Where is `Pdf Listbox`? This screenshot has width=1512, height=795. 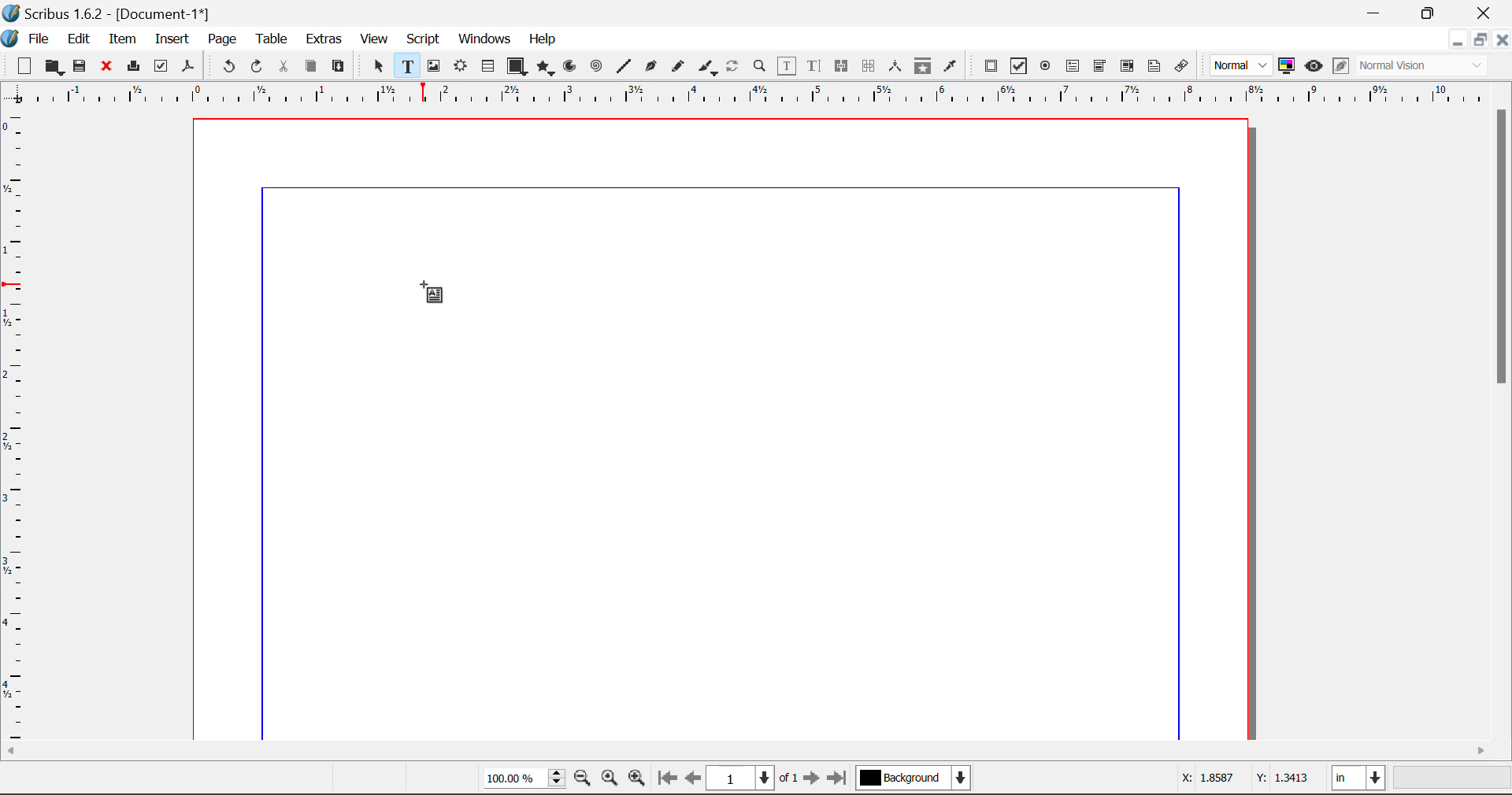
Pdf Listbox is located at coordinates (1125, 66).